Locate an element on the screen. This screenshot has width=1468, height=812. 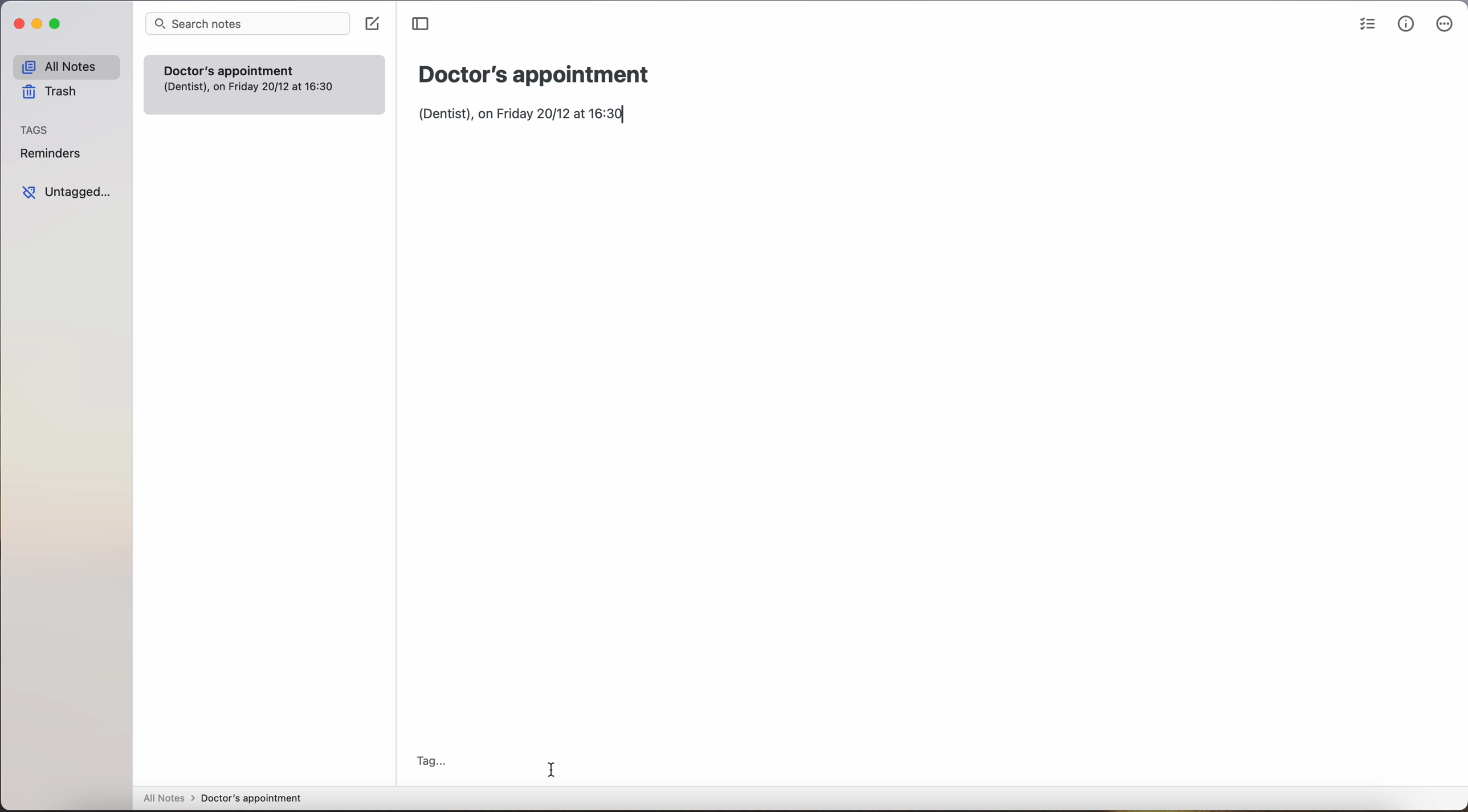
tags is located at coordinates (35, 130).